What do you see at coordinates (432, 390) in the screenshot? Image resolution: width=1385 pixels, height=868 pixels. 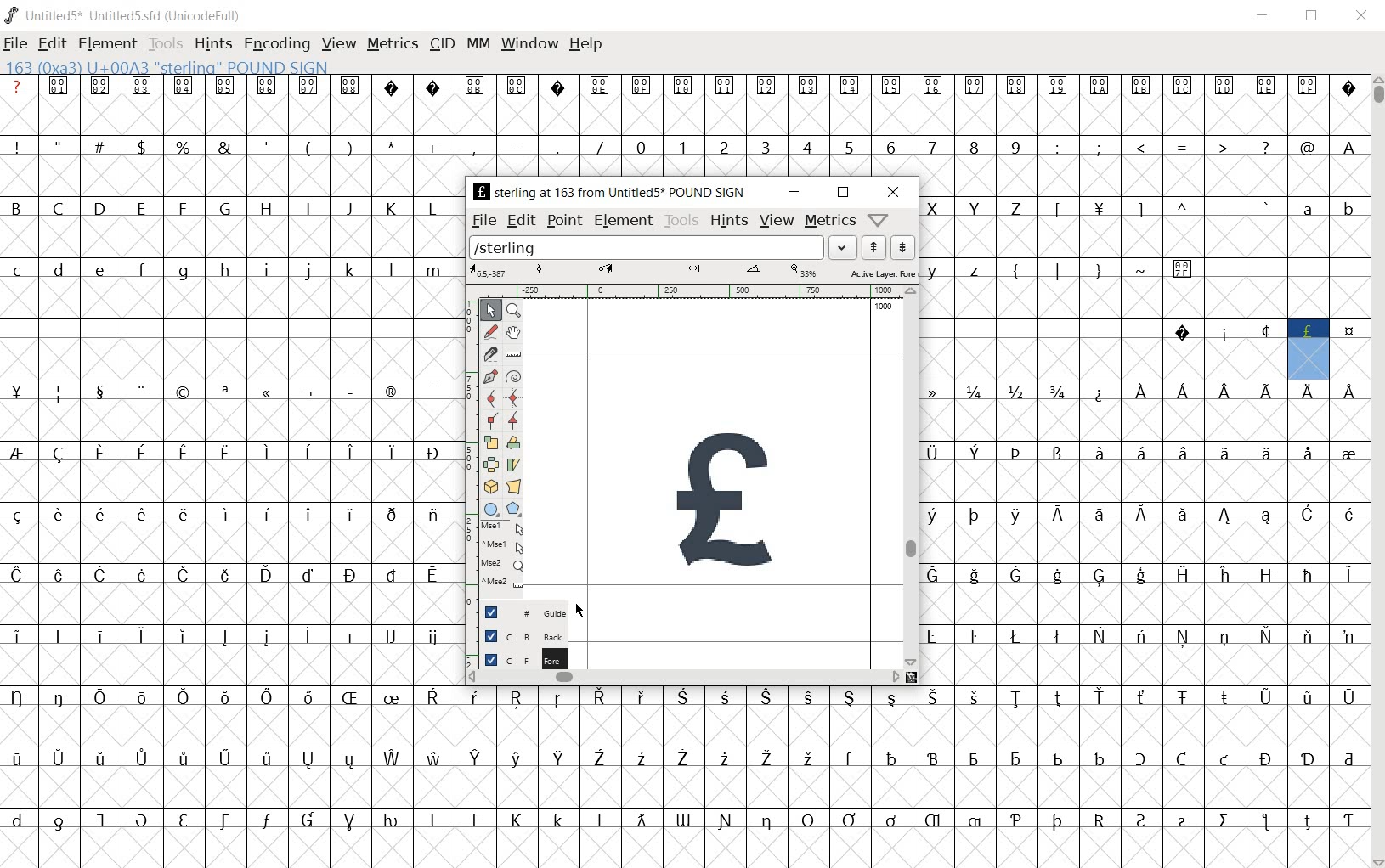 I see `Symbol` at bounding box center [432, 390].